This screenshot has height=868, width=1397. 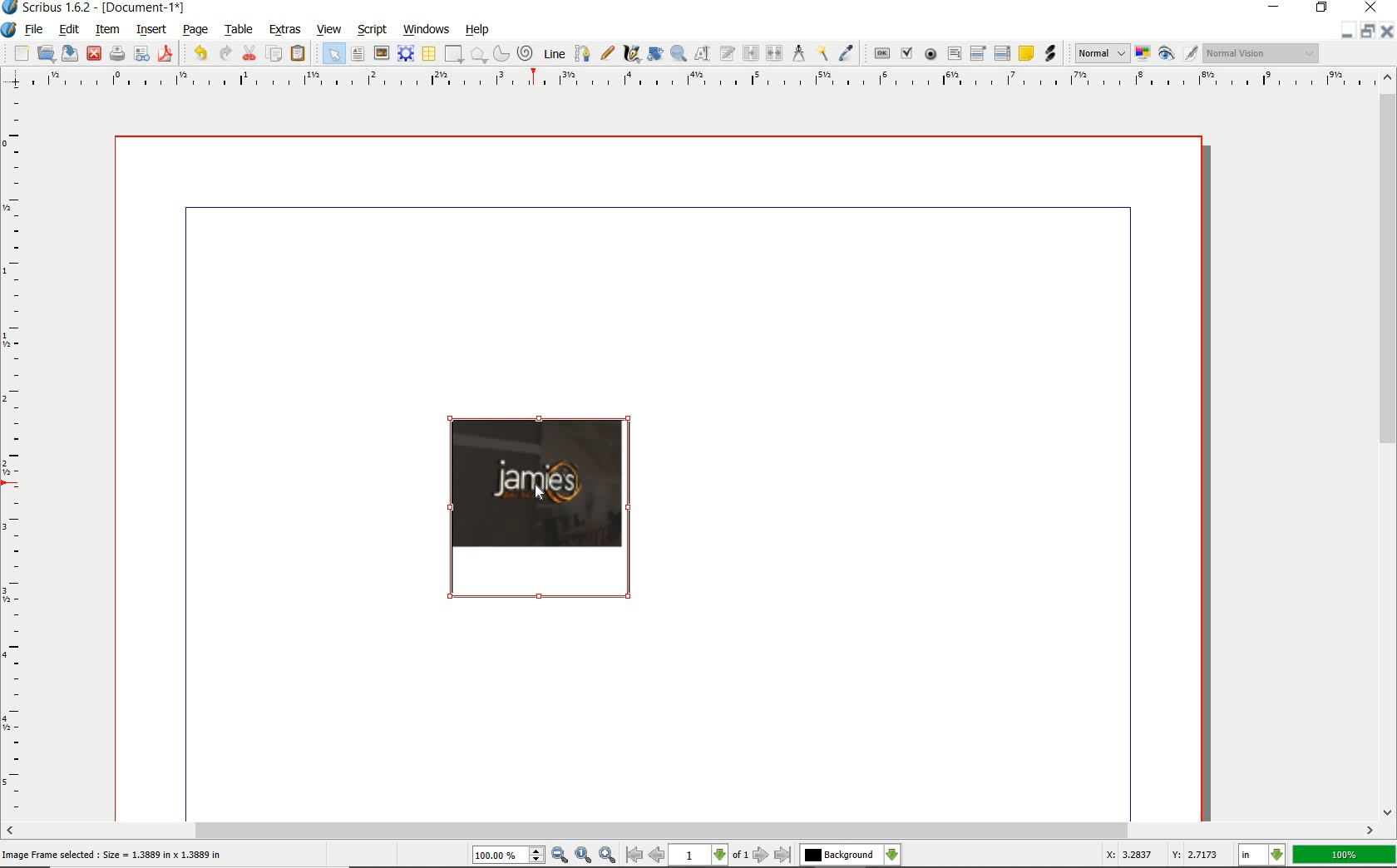 I want to click on ruler, so click(x=17, y=453).